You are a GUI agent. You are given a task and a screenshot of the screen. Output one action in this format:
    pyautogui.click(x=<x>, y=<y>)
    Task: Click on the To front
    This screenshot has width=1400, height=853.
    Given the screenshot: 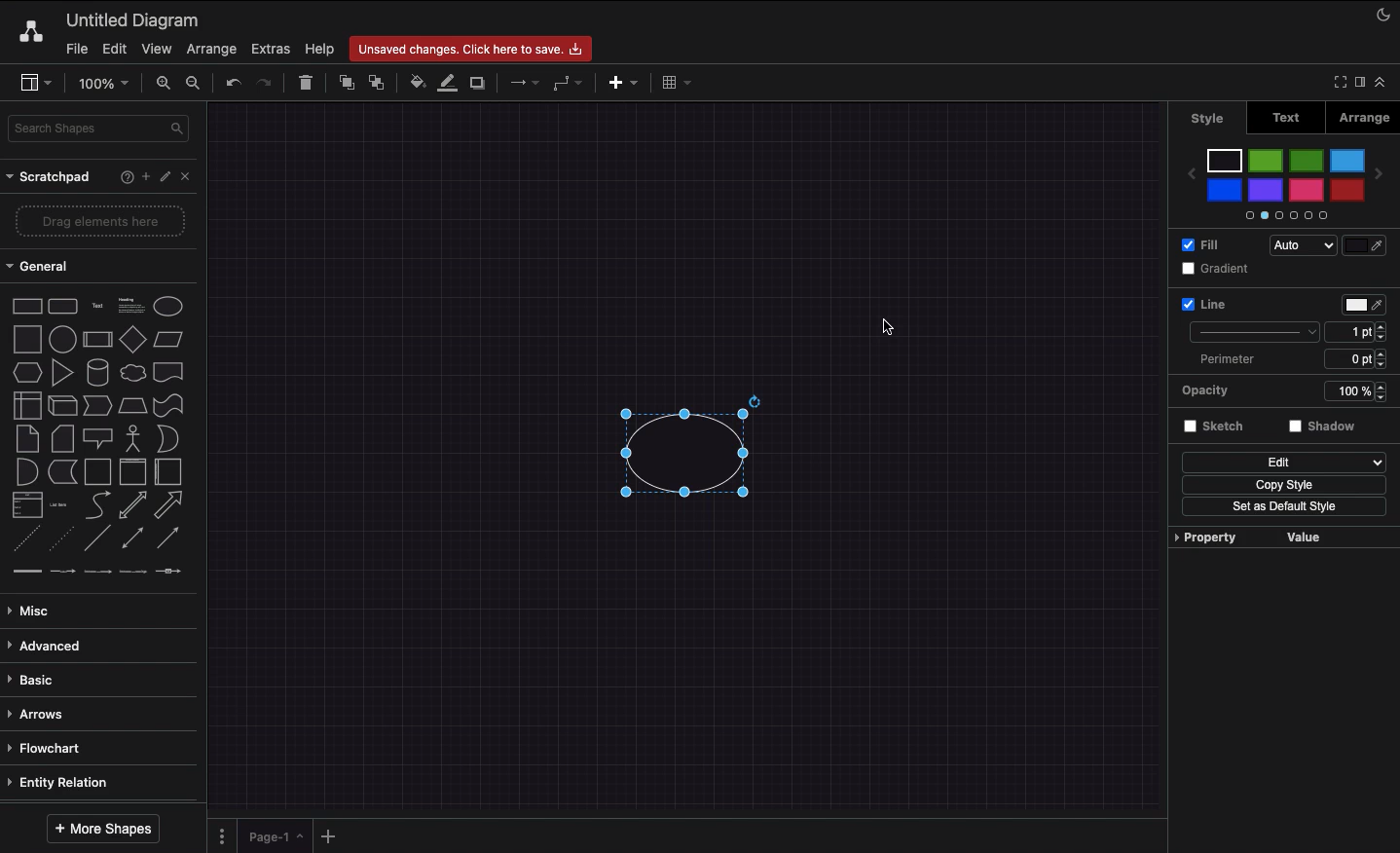 What is the action you would take?
    pyautogui.click(x=346, y=83)
    